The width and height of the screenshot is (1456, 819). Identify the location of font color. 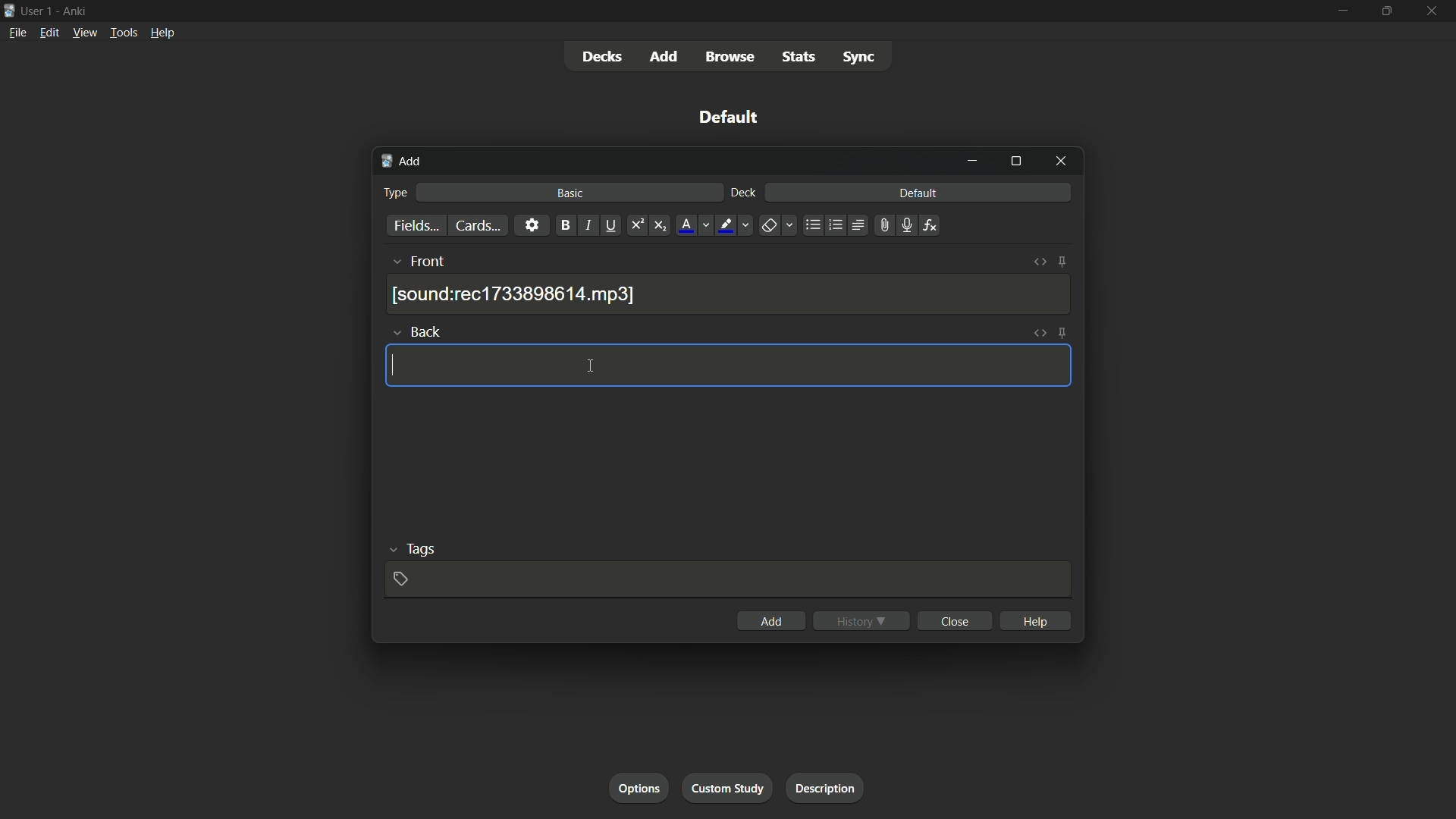
(685, 225).